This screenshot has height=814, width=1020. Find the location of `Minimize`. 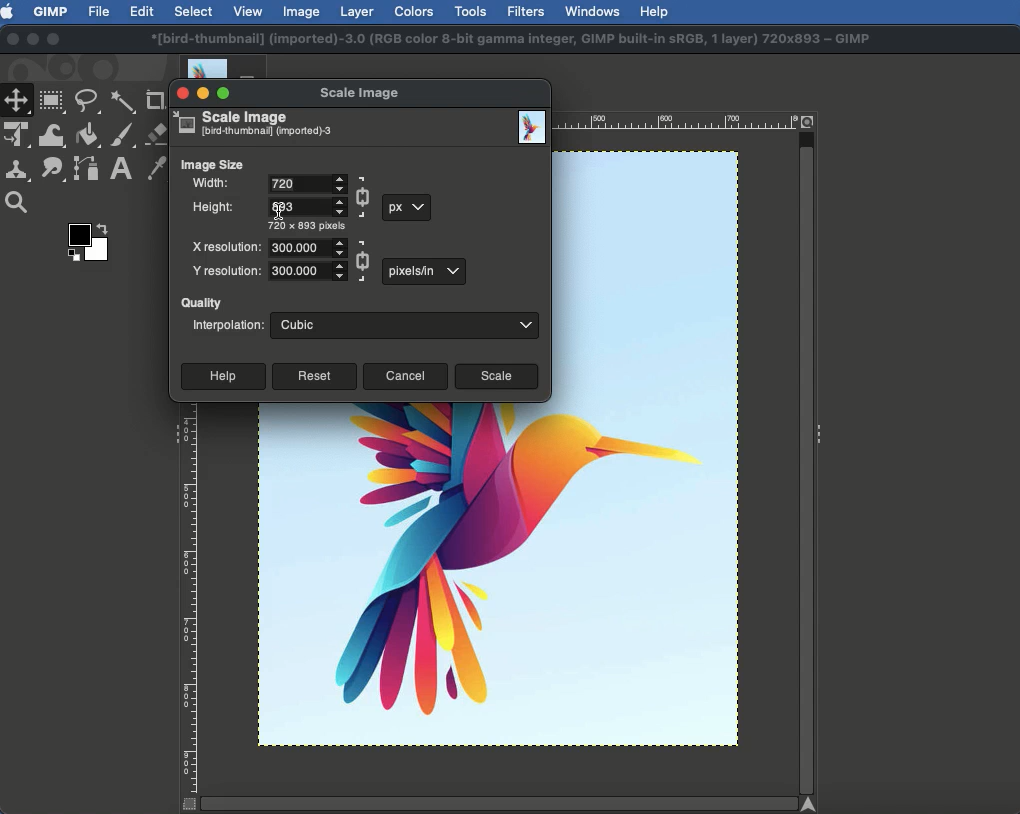

Minimize is located at coordinates (202, 91).